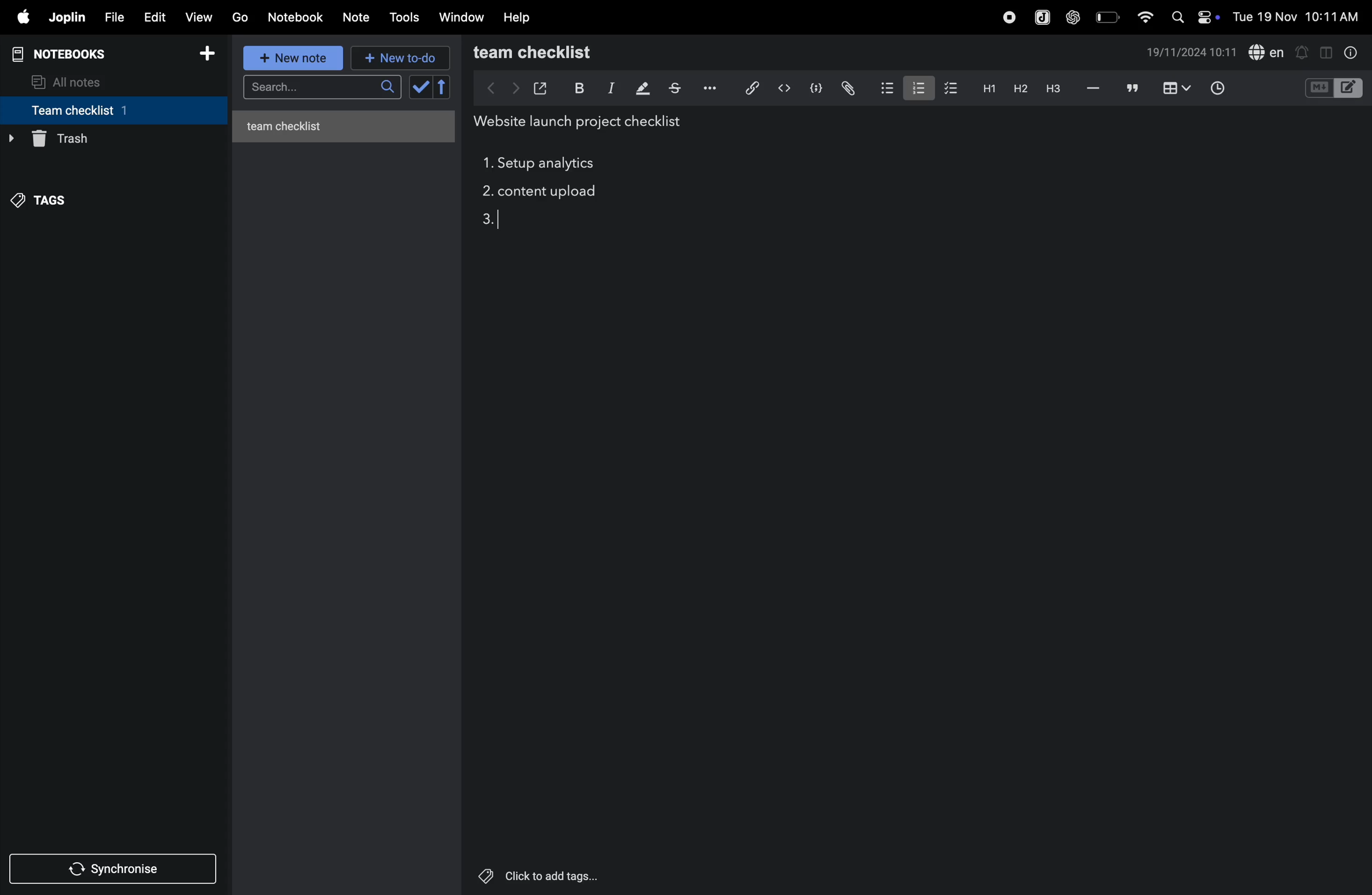  Describe the element at coordinates (583, 122) in the screenshot. I see `title` at that location.